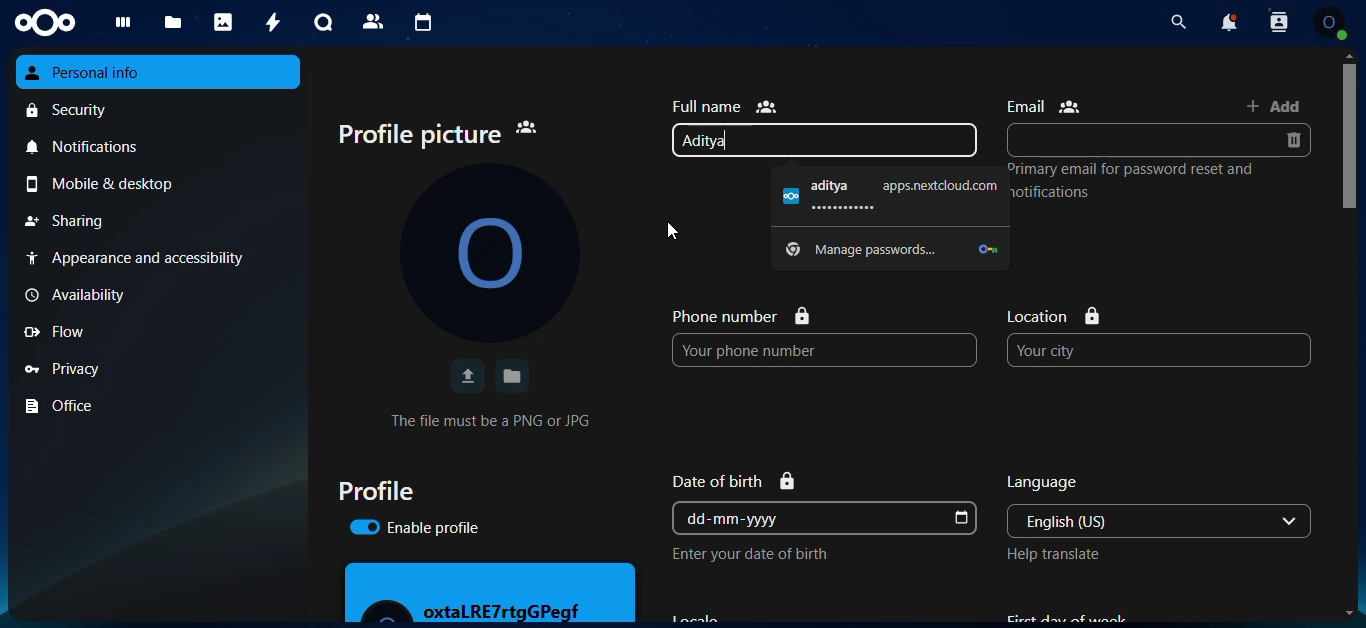 The width and height of the screenshot is (1366, 628). What do you see at coordinates (1044, 483) in the screenshot?
I see `language` at bounding box center [1044, 483].